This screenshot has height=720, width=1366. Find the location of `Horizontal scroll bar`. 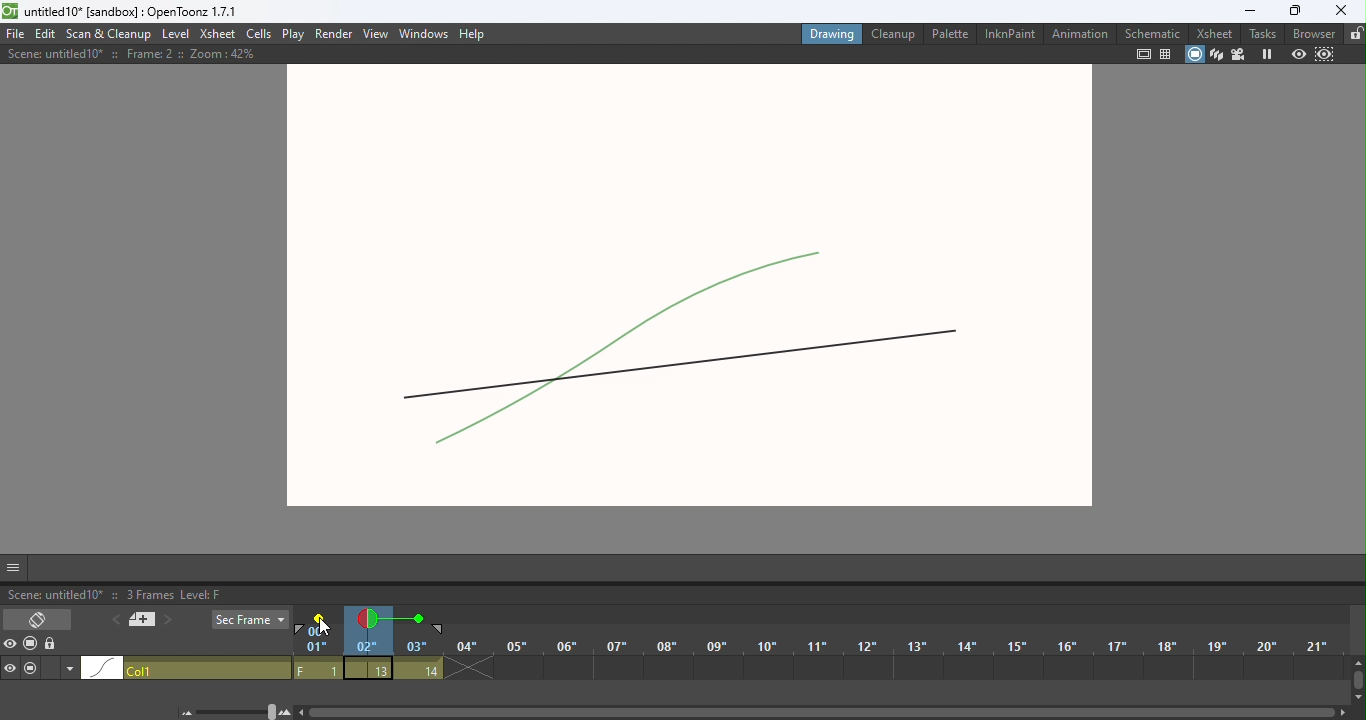

Horizontal scroll bar is located at coordinates (823, 711).